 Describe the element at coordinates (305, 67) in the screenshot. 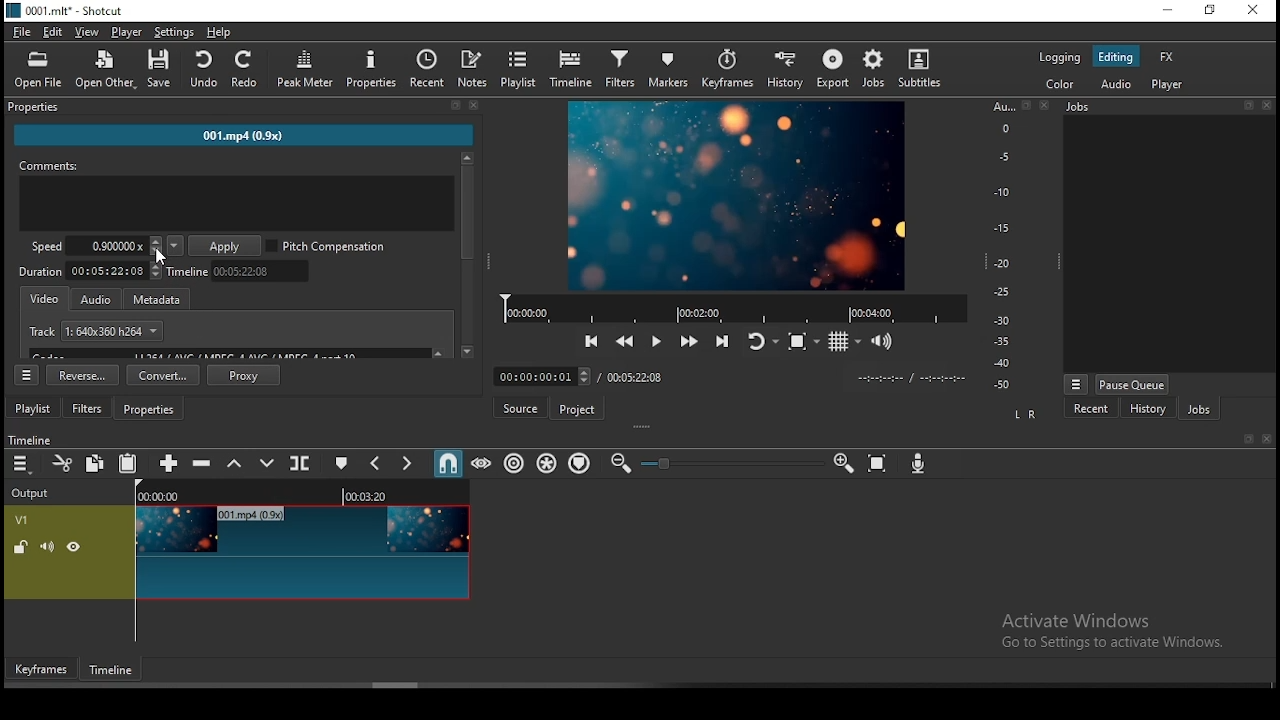

I see `peak meter` at that location.